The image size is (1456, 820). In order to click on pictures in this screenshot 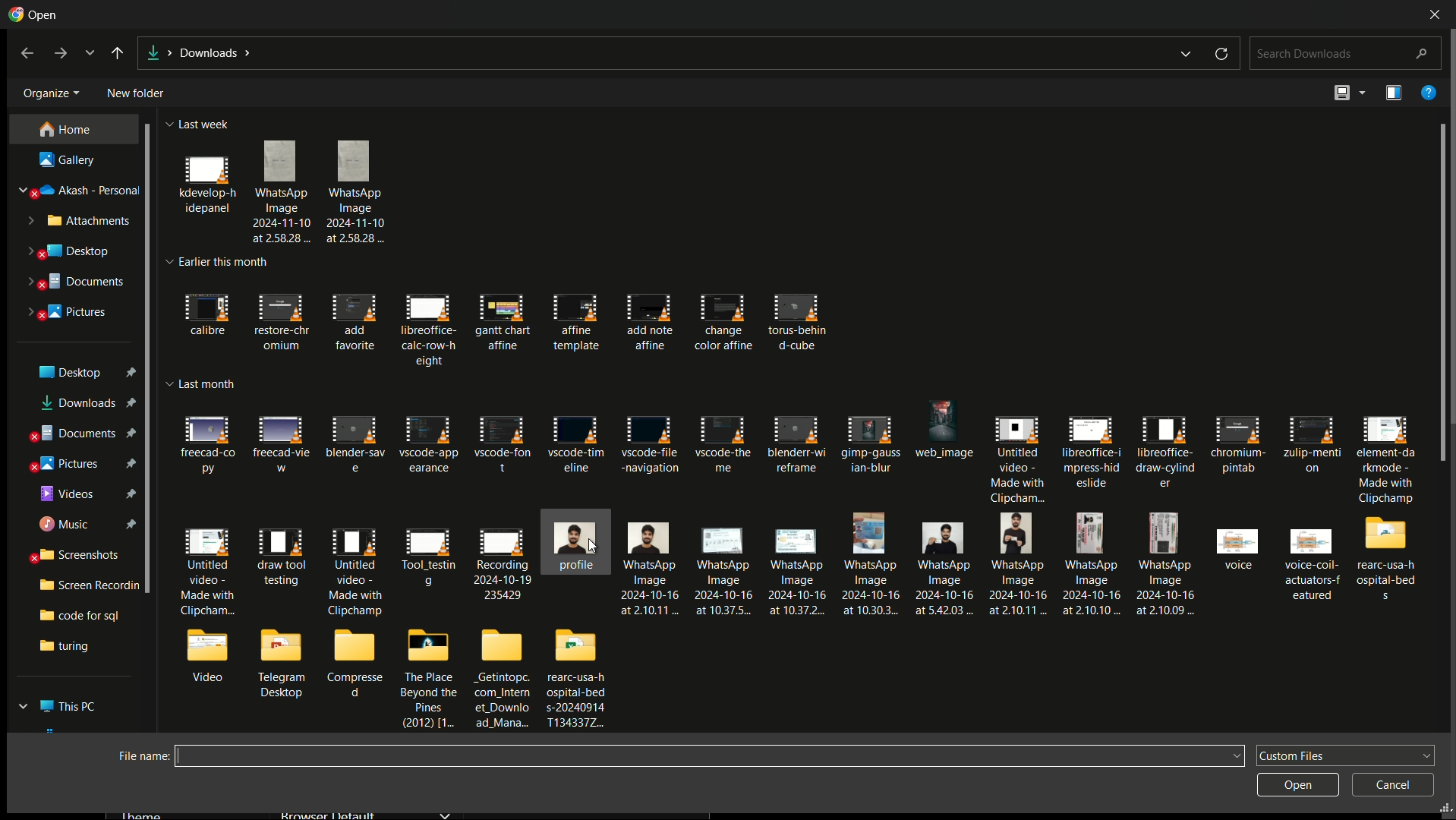, I will do `click(81, 465)`.